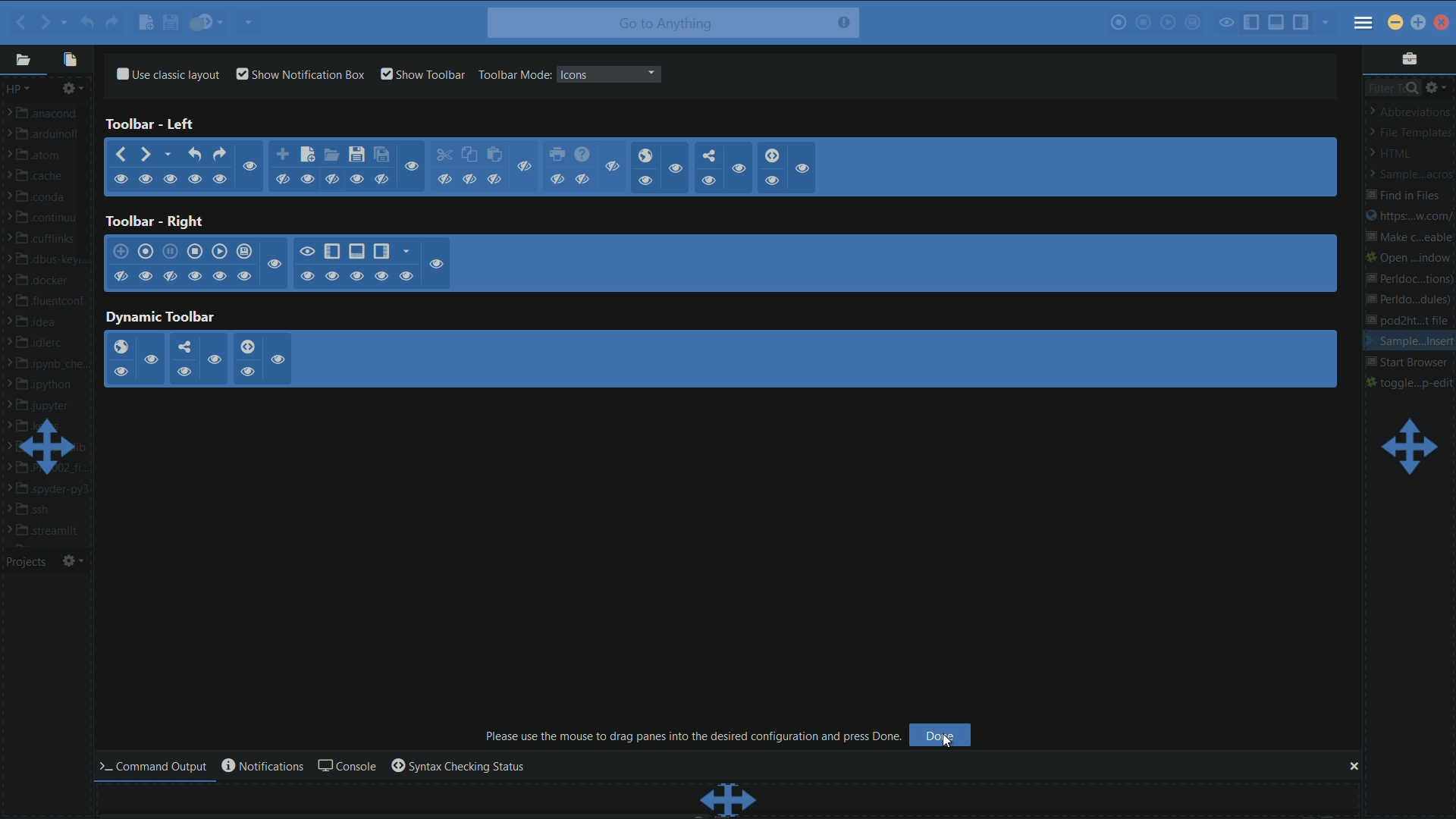 The width and height of the screenshot is (1456, 819). Describe the element at coordinates (220, 179) in the screenshot. I see `show/hide` at that location.